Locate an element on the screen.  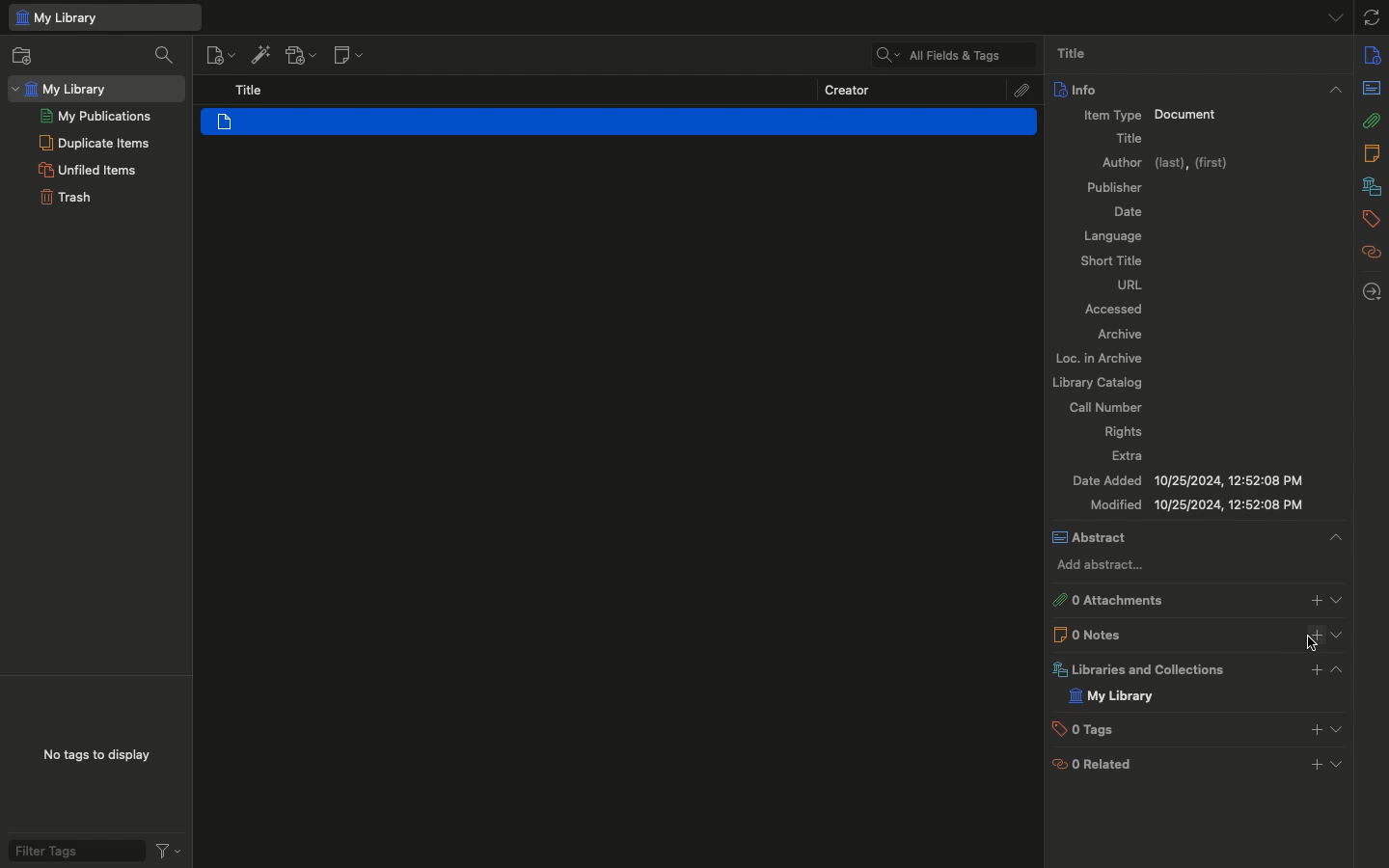
Show is located at coordinates (1339, 598).